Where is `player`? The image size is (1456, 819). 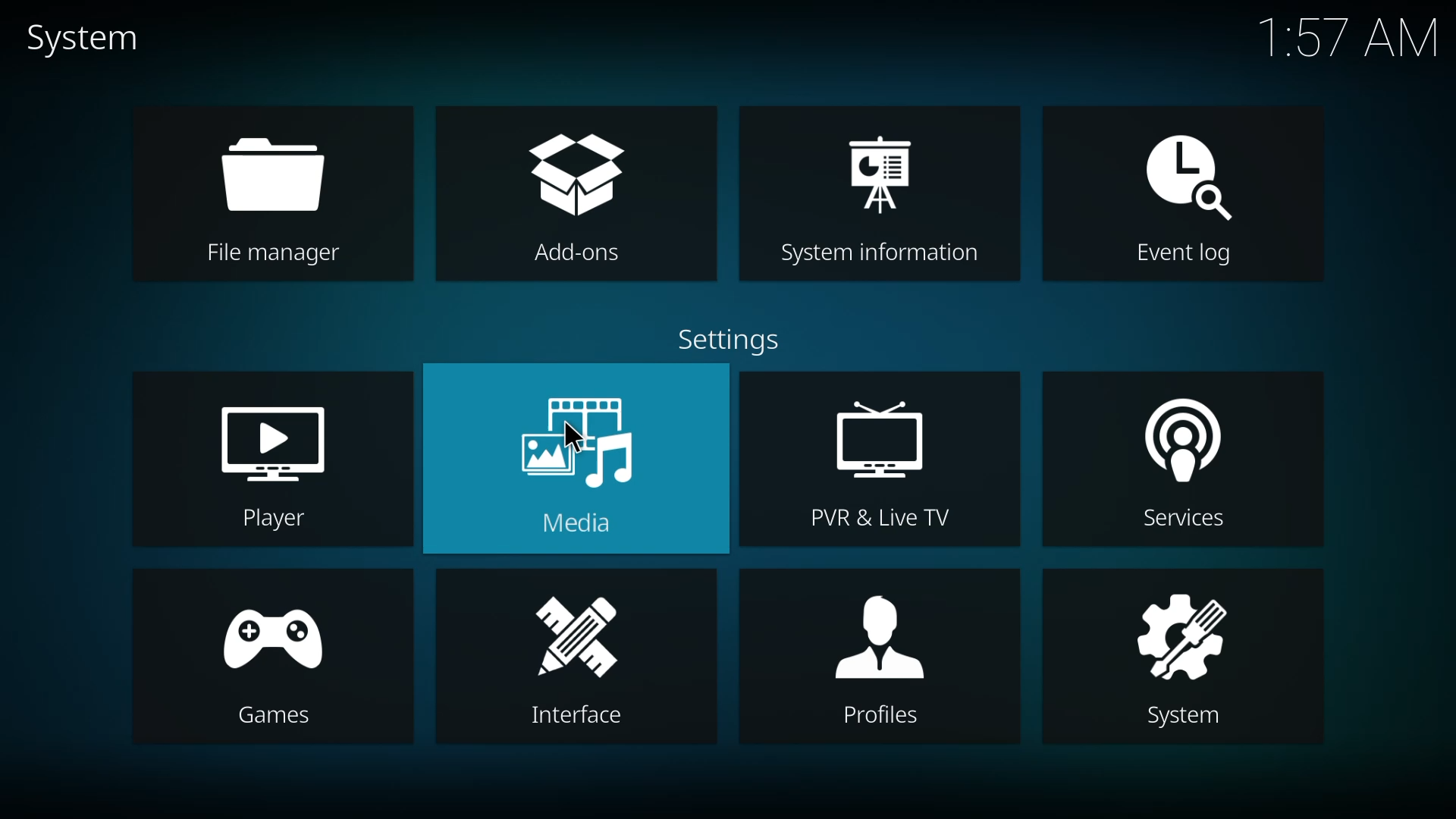
player is located at coordinates (273, 461).